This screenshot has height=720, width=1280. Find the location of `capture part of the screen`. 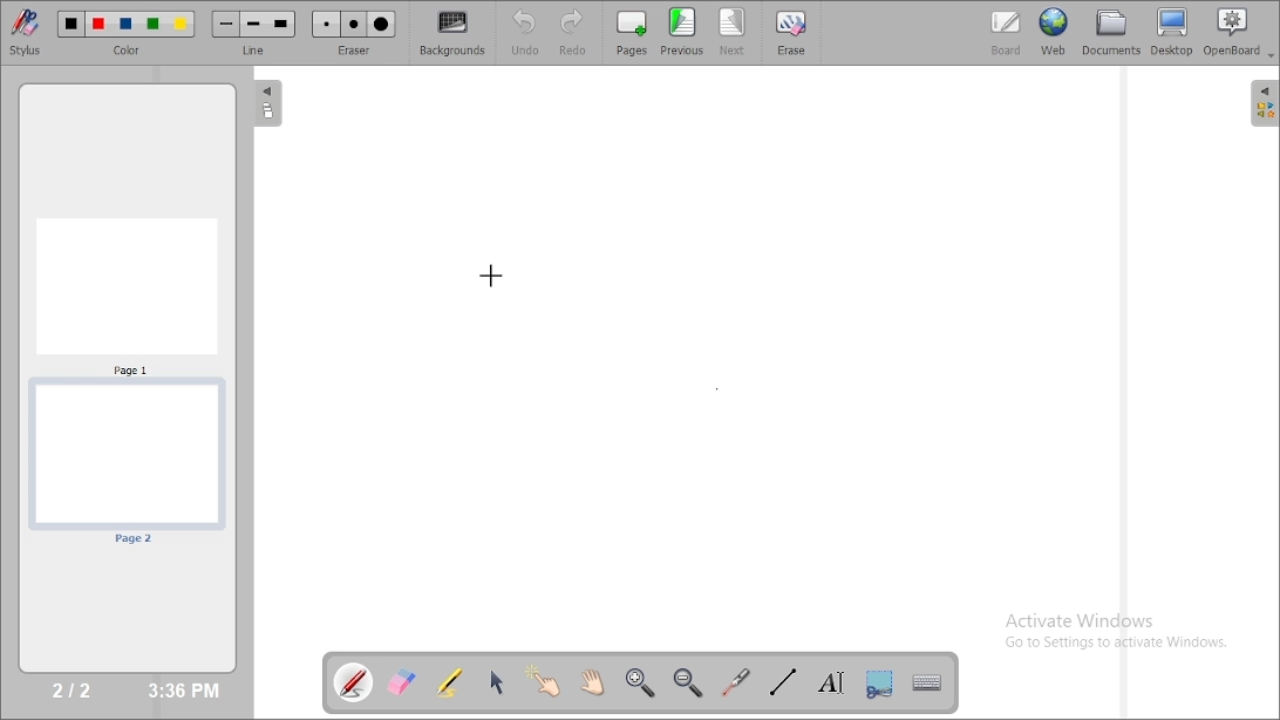

capture part of the screen is located at coordinates (879, 683).